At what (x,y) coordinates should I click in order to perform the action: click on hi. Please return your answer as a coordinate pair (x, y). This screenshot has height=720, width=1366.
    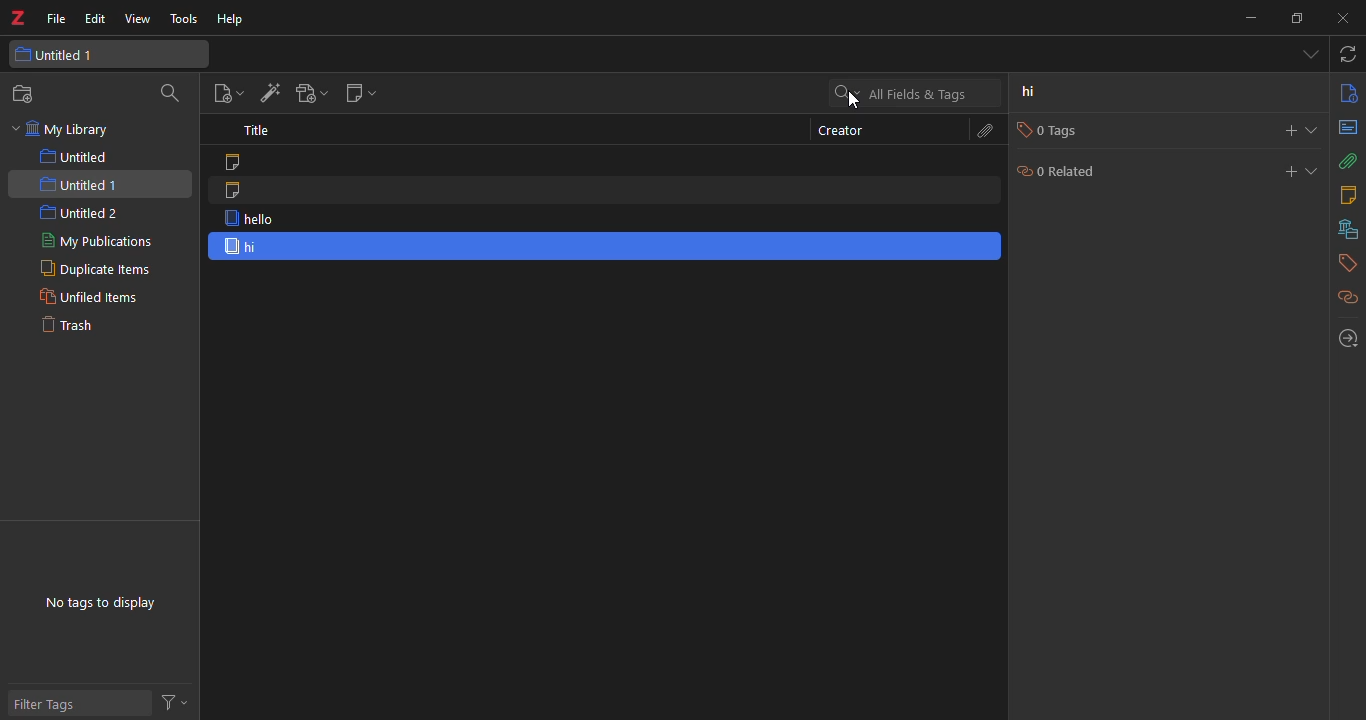
    Looking at the image, I should click on (244, 248).